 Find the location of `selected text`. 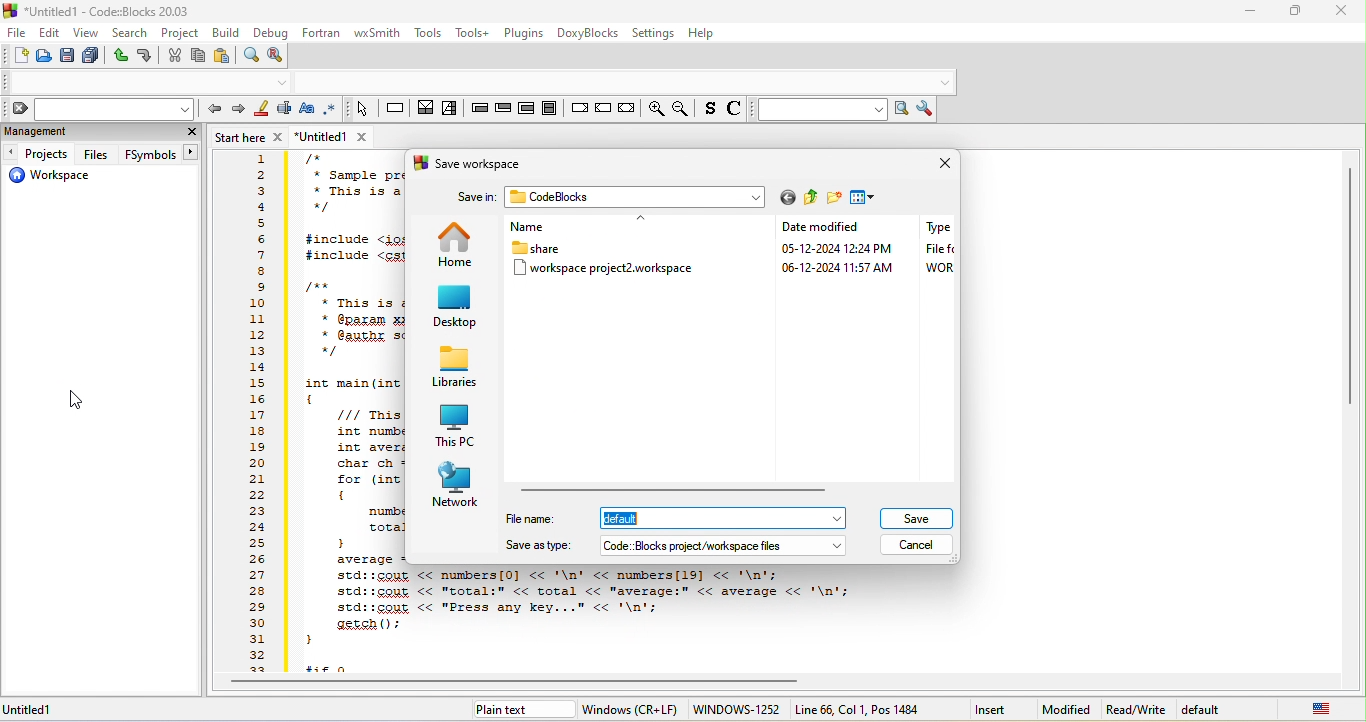

selected text is located at coordinates (285, 111).